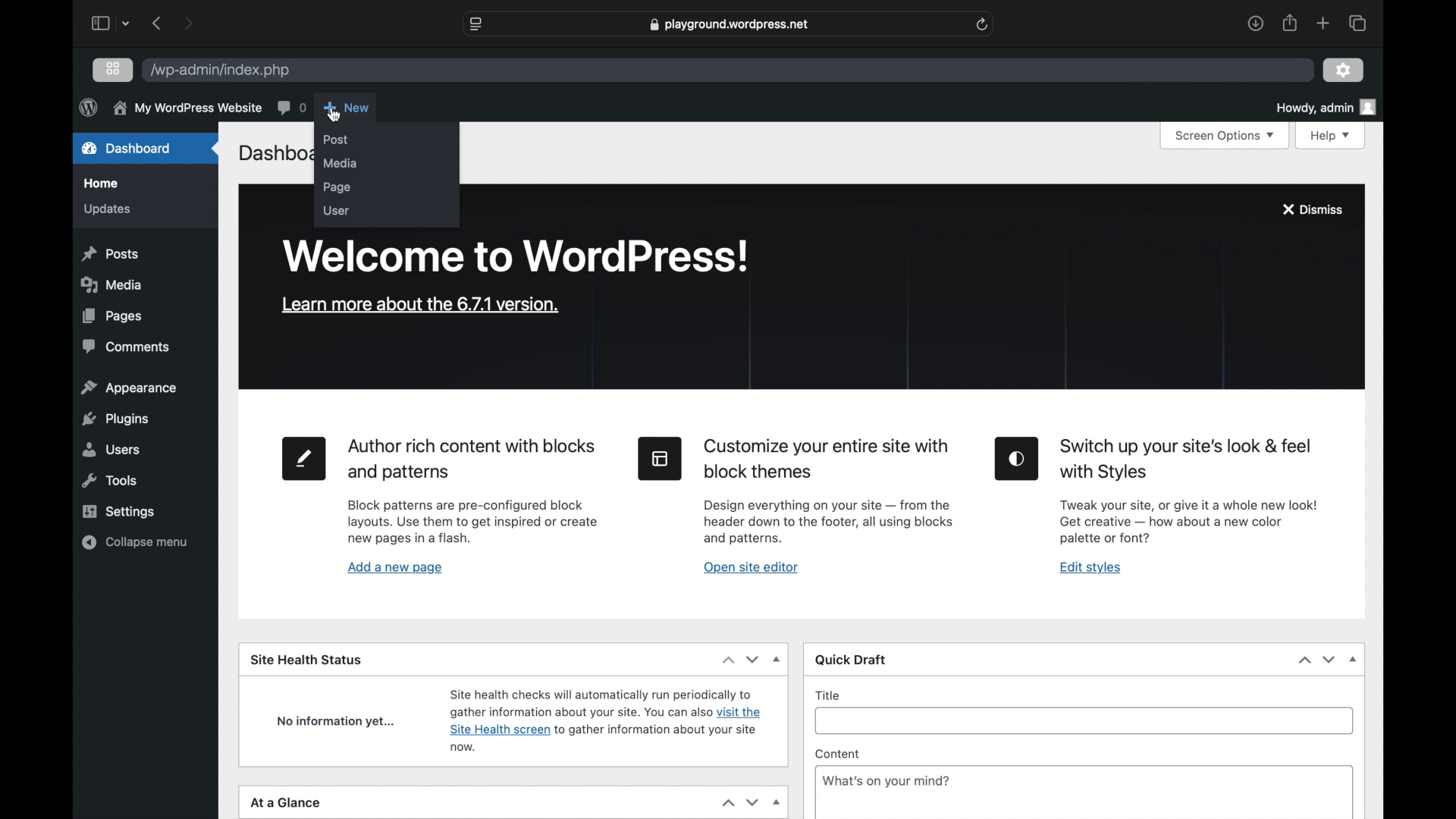 The width and height of the screenshot is (1456, 819). I want to click on dashboard, so click(273, 155).